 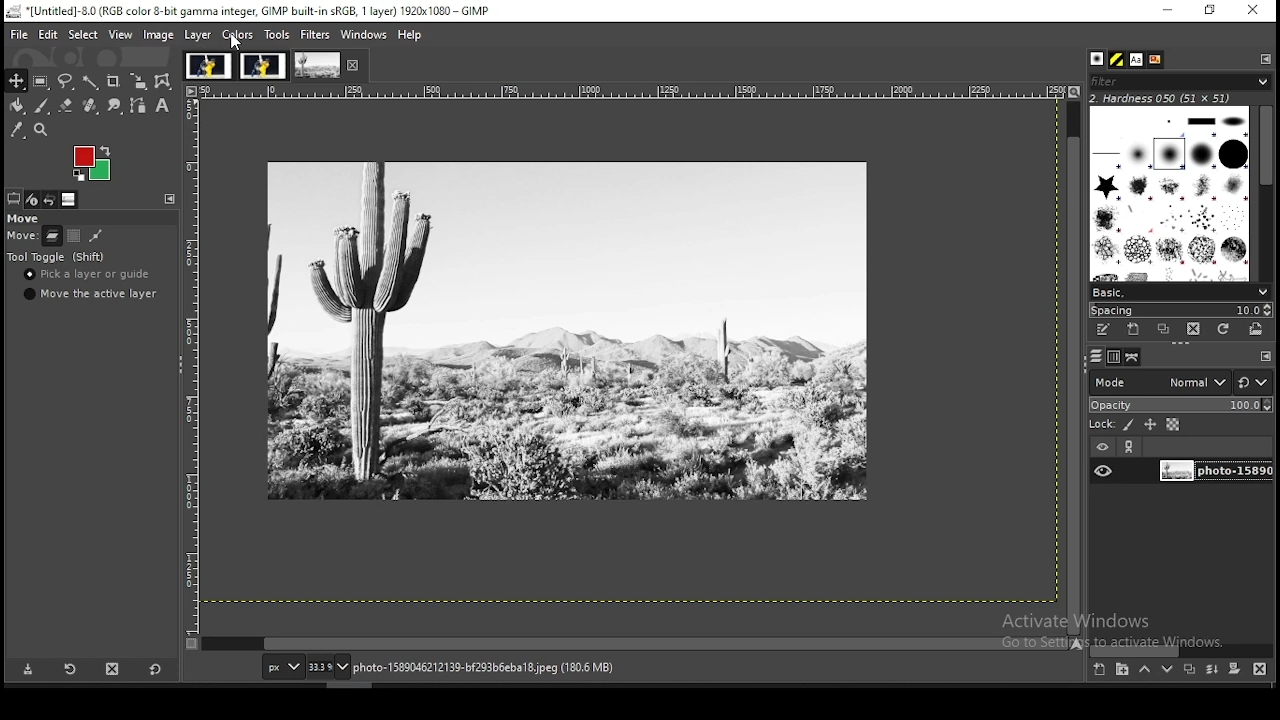 I want to click on image, so click(x=262, y=65).